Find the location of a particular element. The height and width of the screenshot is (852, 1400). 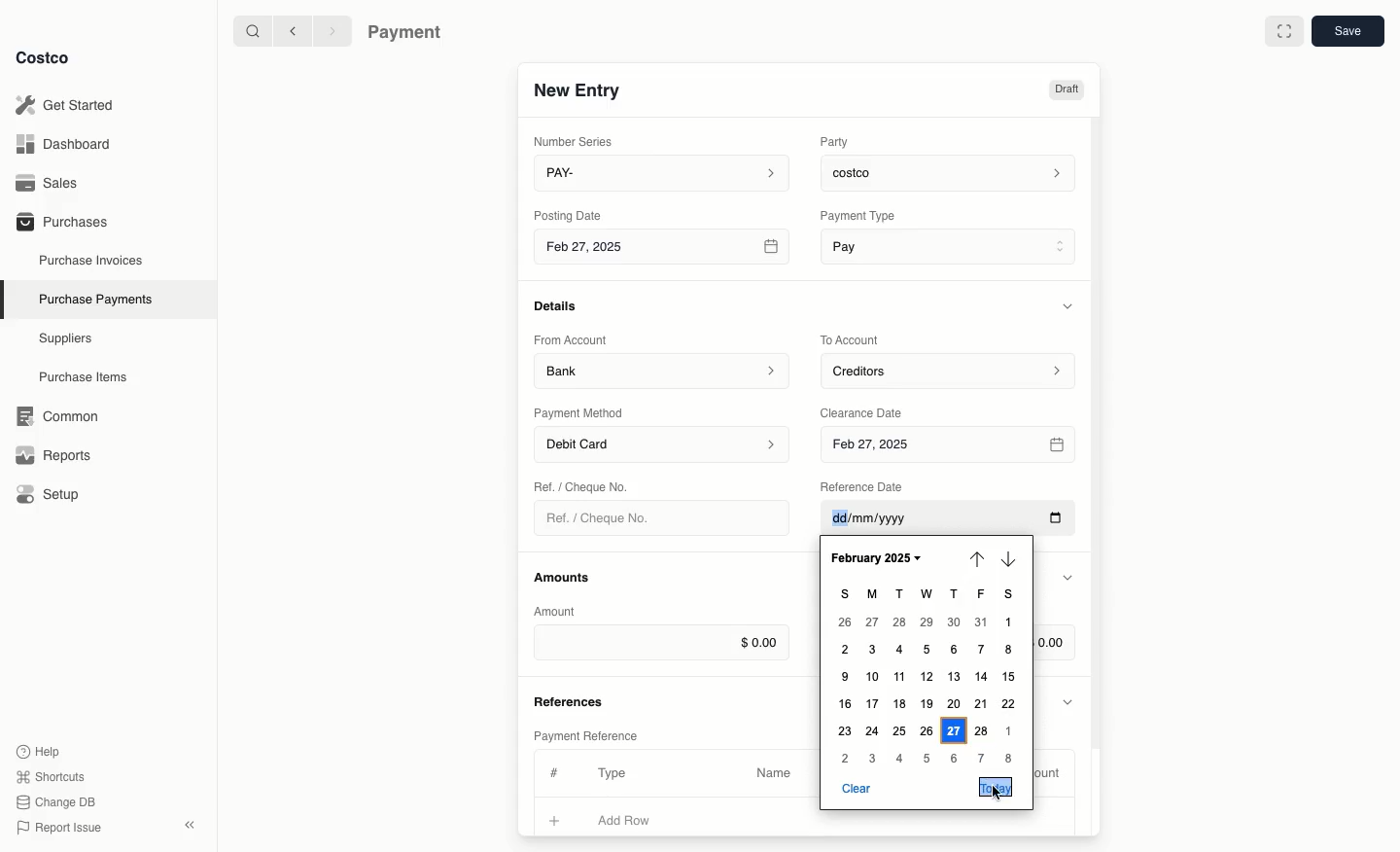

Back is located at coordinates (293, 30).